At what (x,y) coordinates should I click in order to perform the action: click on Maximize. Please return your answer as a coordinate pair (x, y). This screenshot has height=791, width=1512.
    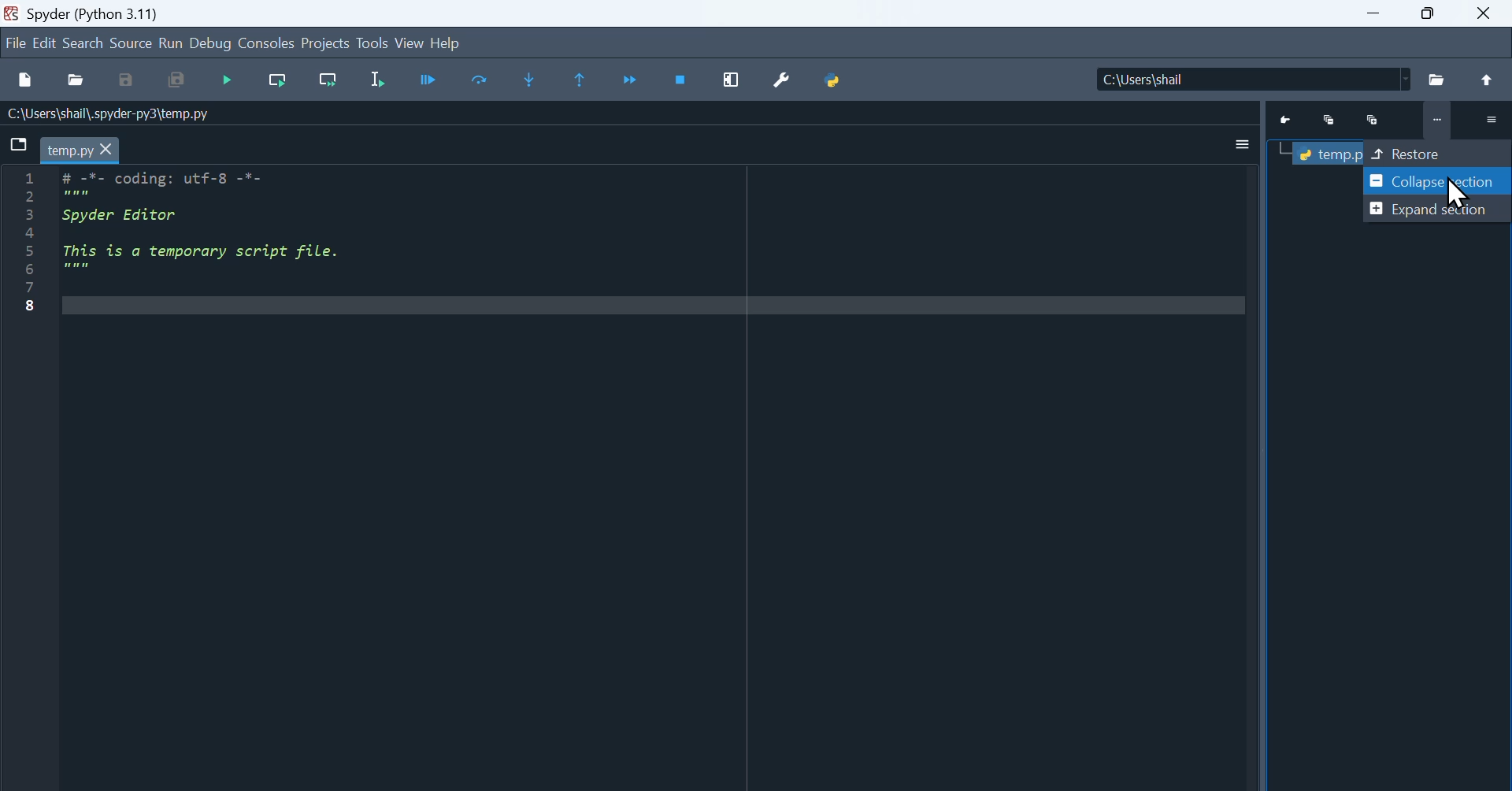
    Looking at the image, I should click on (1429, 13).